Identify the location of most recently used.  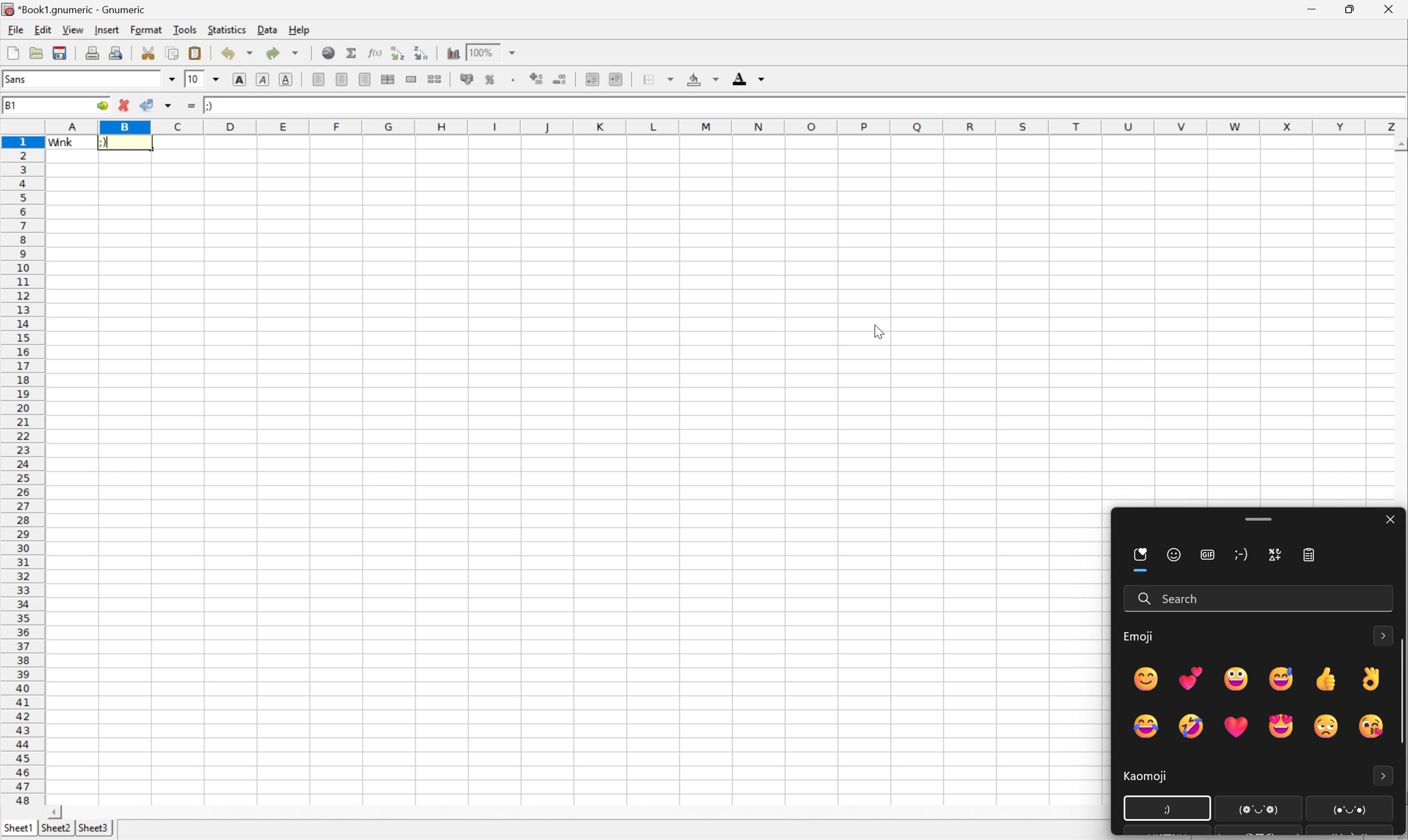
(1141, 559).